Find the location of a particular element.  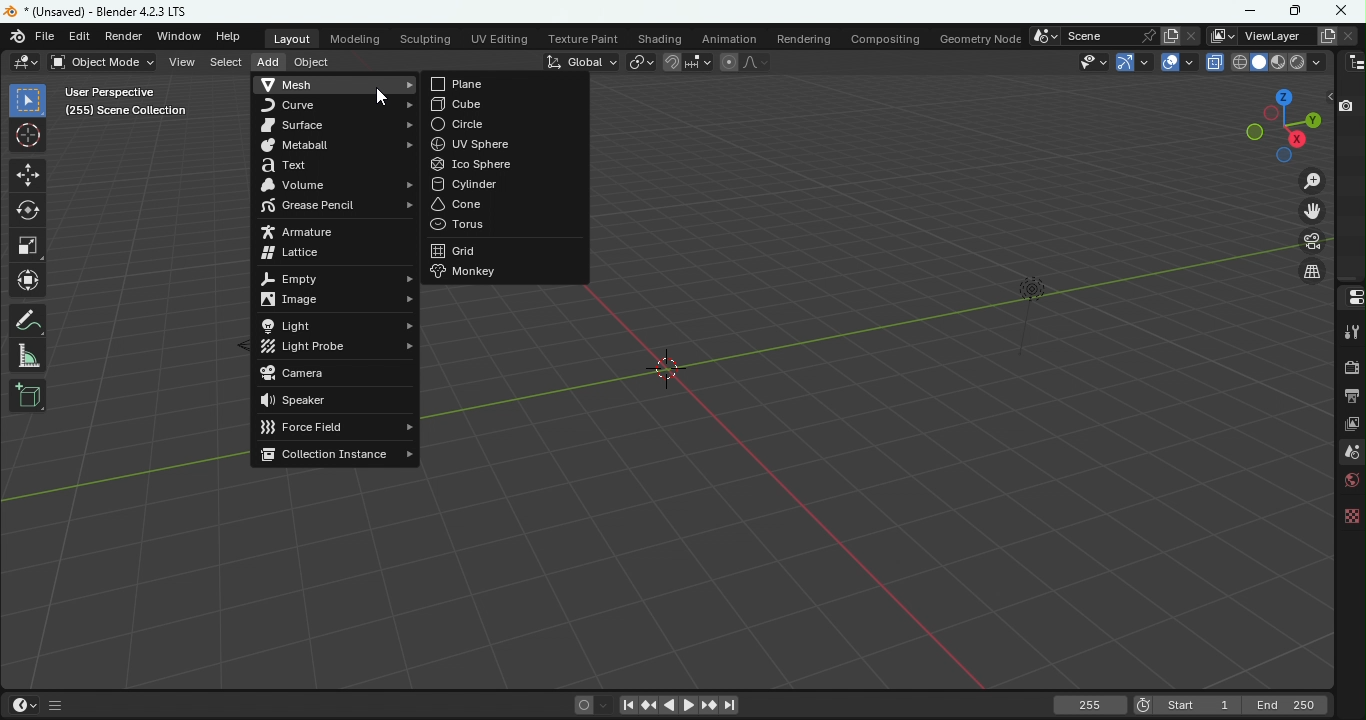

Editor type is located at coordinates (1349, 298).